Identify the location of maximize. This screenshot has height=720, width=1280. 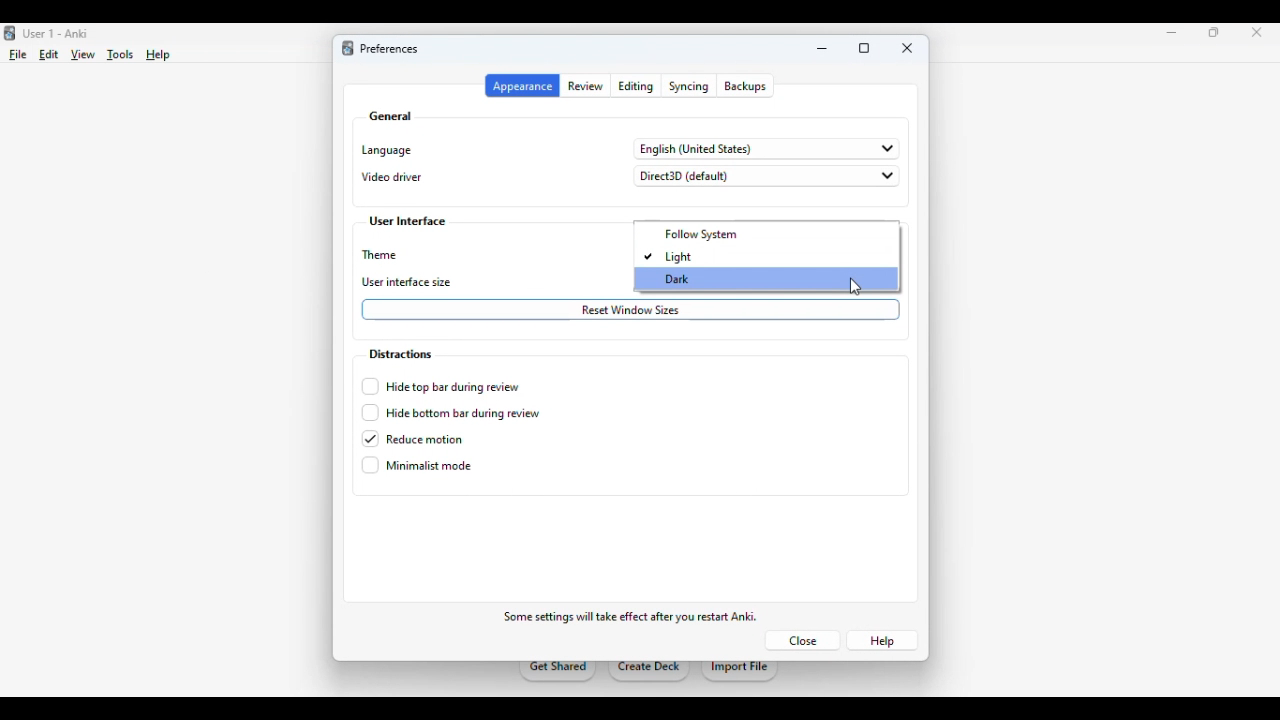
(1214, 32).